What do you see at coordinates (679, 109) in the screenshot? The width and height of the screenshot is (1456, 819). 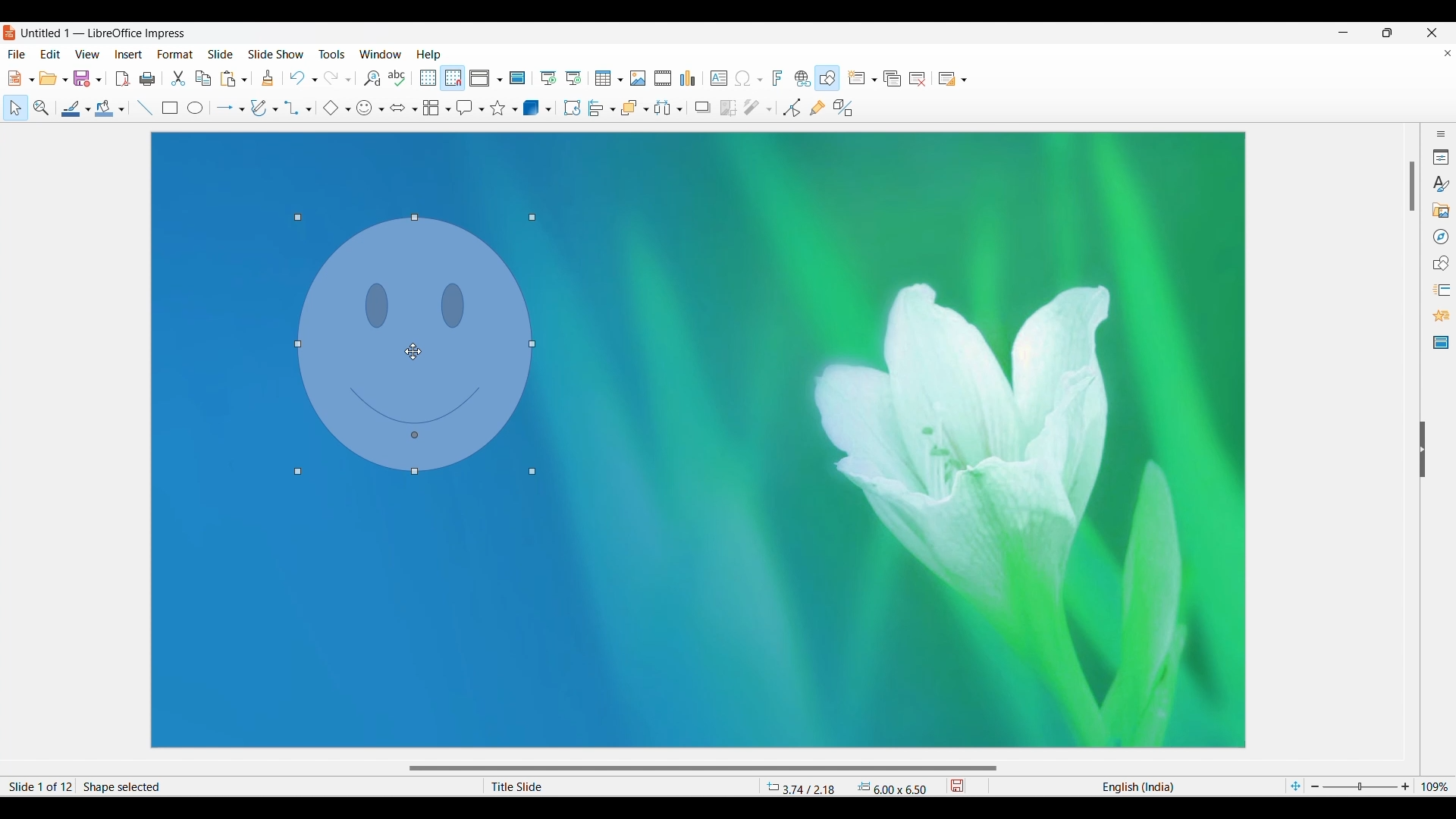 I see `Select objects to distribute options` at bounding box center [679, 109].